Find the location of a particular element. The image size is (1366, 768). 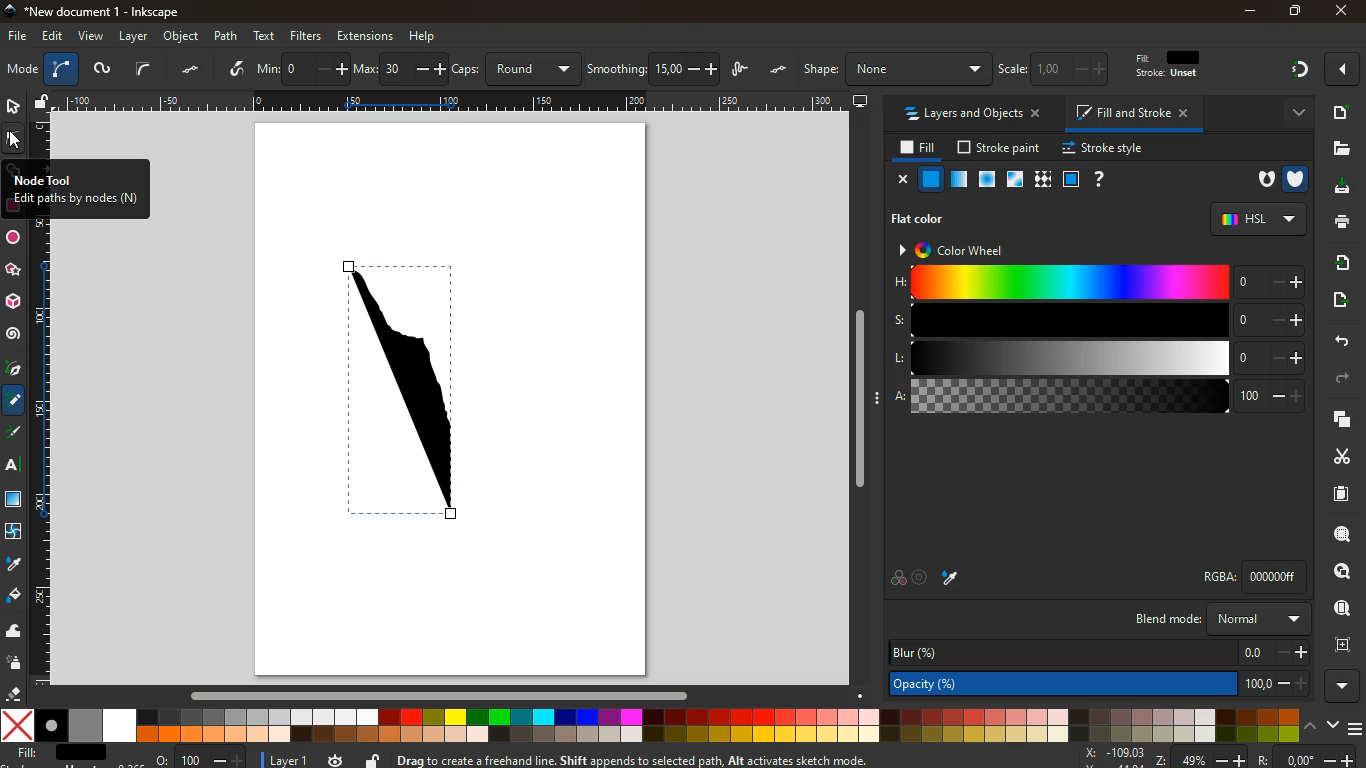

twist is located at coordinates (15, 532).